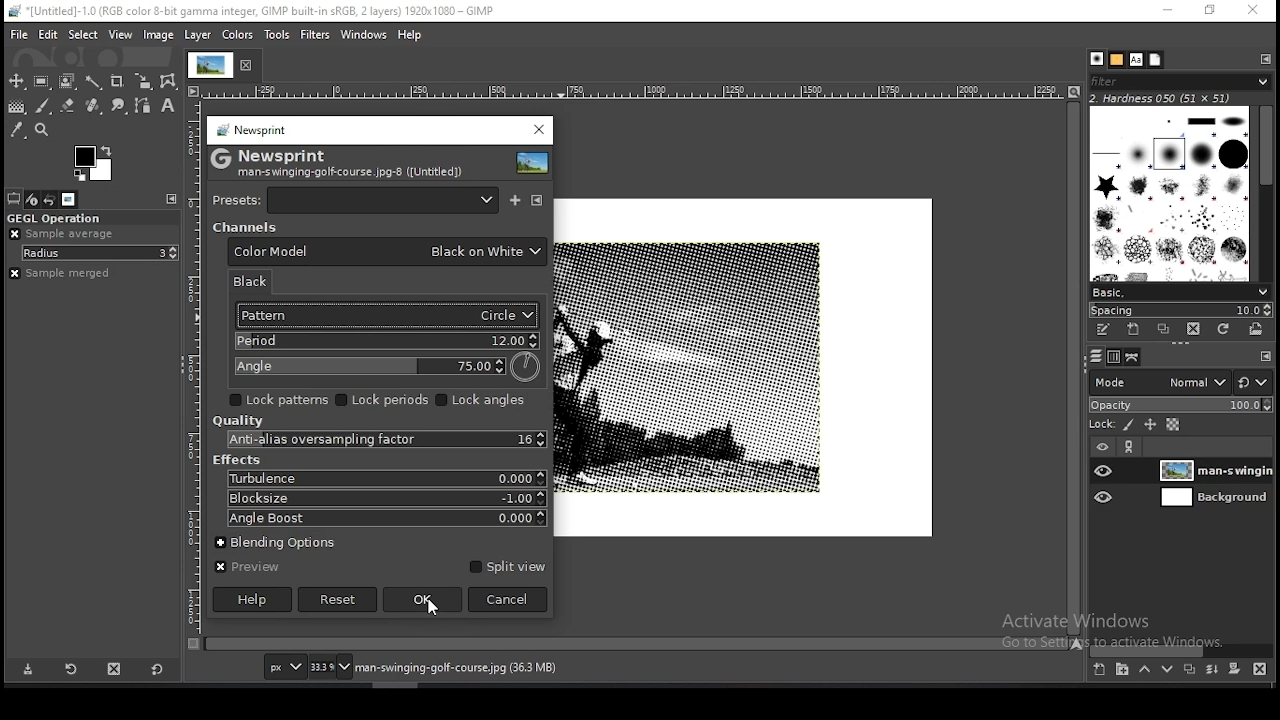  Describe the element at coordinates (1182, 98) in the screenshot. I see `hardness 050 (51x51)` at that location.